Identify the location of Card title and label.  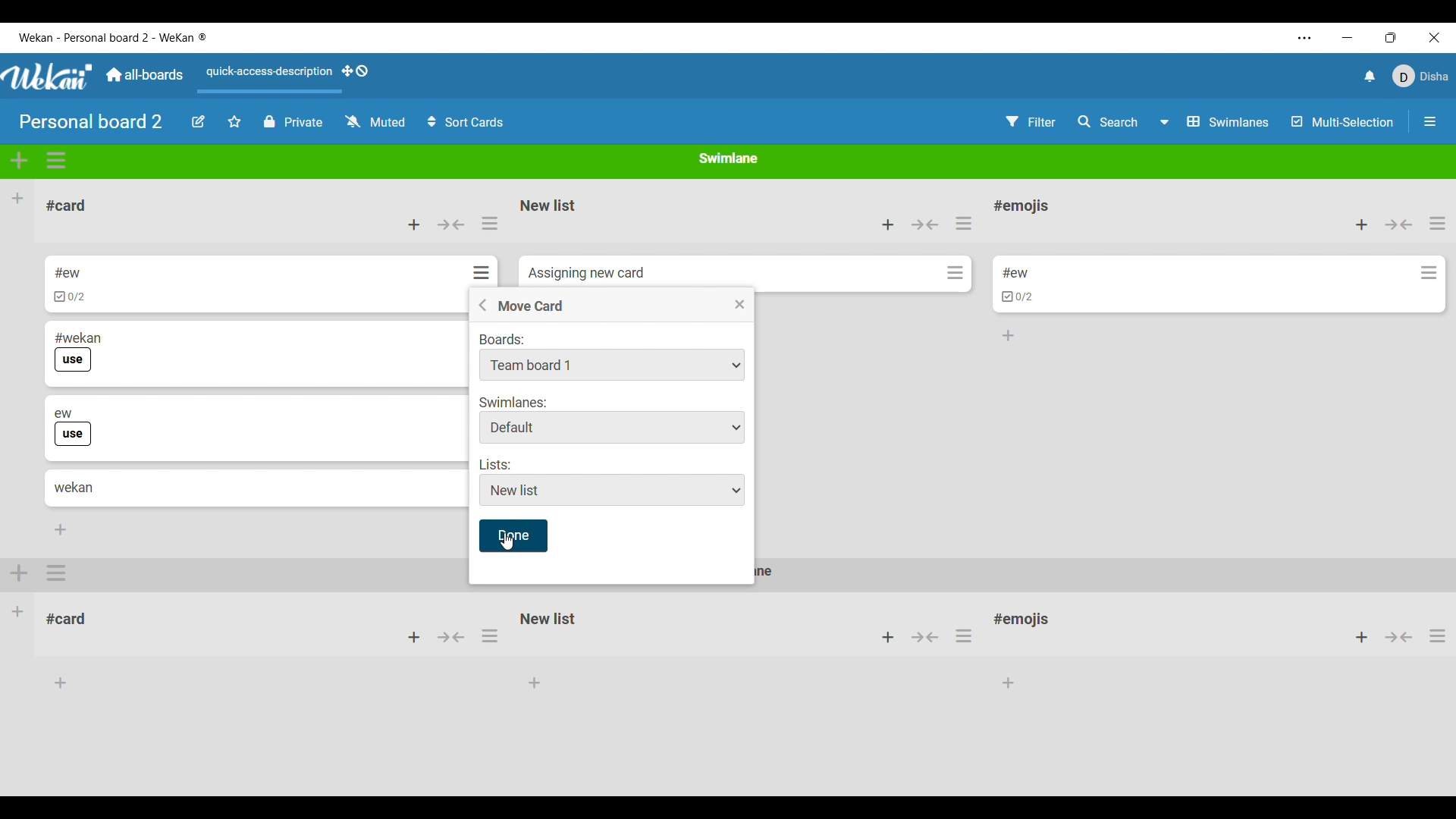
(78, 352).